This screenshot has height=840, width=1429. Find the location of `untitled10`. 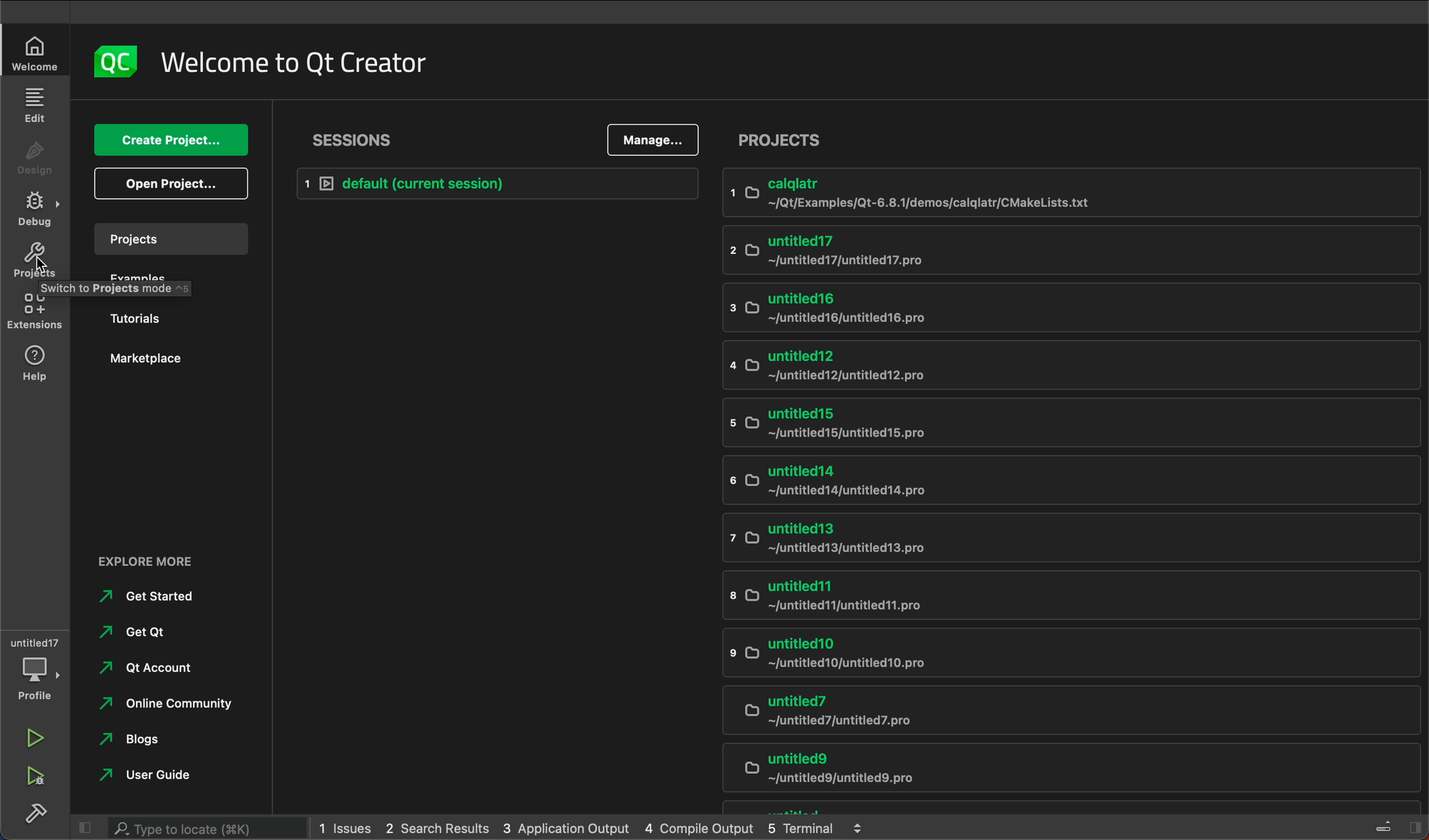

untitled10 is located at coordinates (1059, 653).